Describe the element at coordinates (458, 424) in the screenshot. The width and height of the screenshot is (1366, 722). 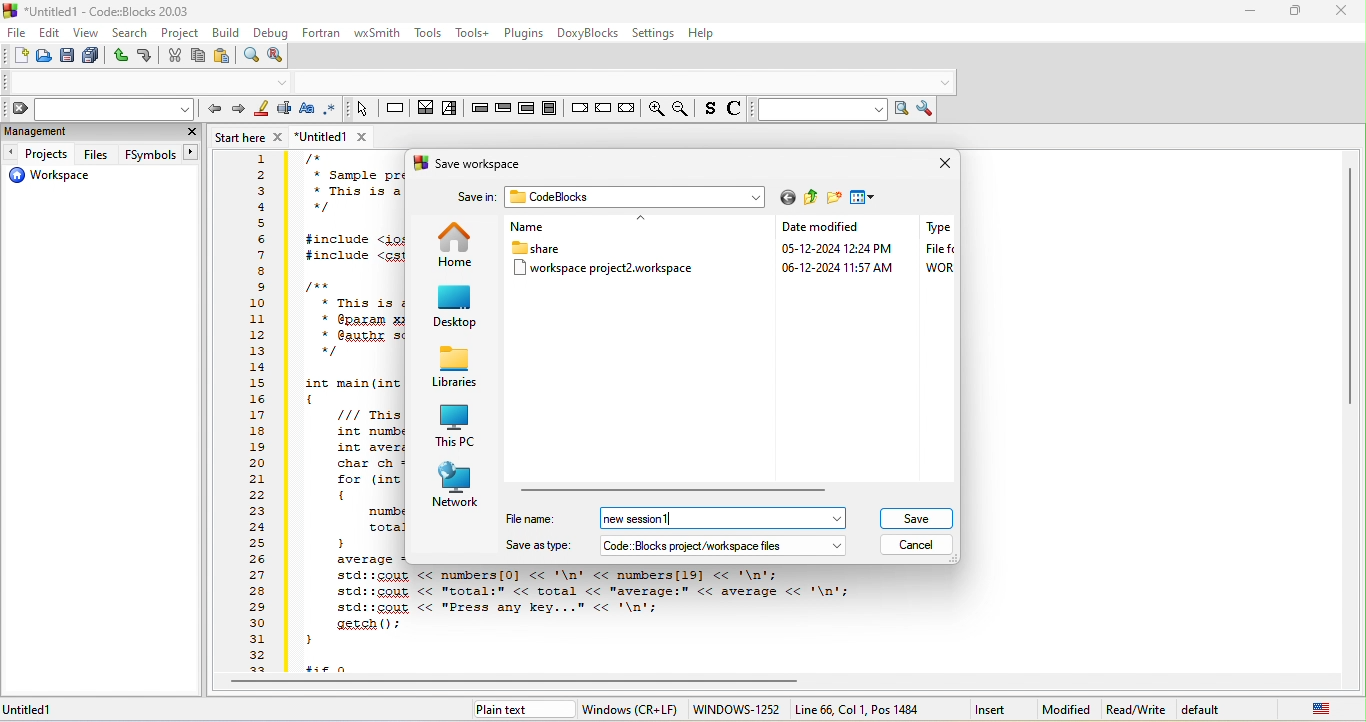
I see `this pc` at that location.